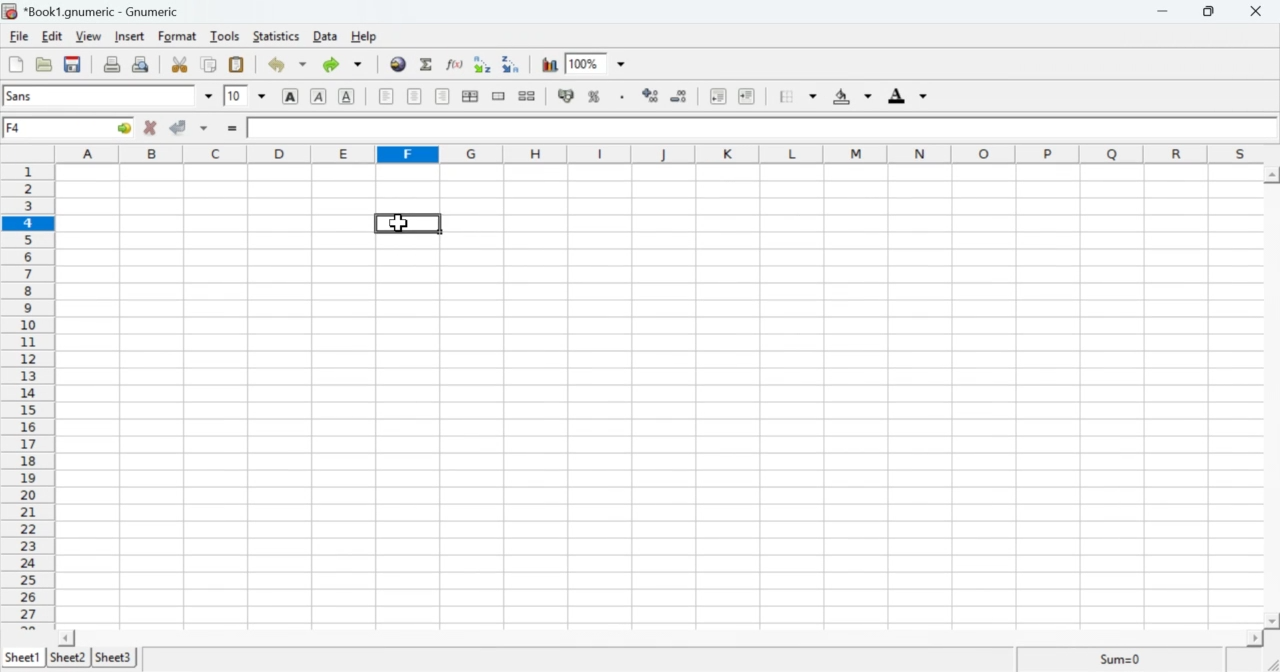 The width and height of the screenshot is (1280, 672). I want to click on File, so click(21, 36).